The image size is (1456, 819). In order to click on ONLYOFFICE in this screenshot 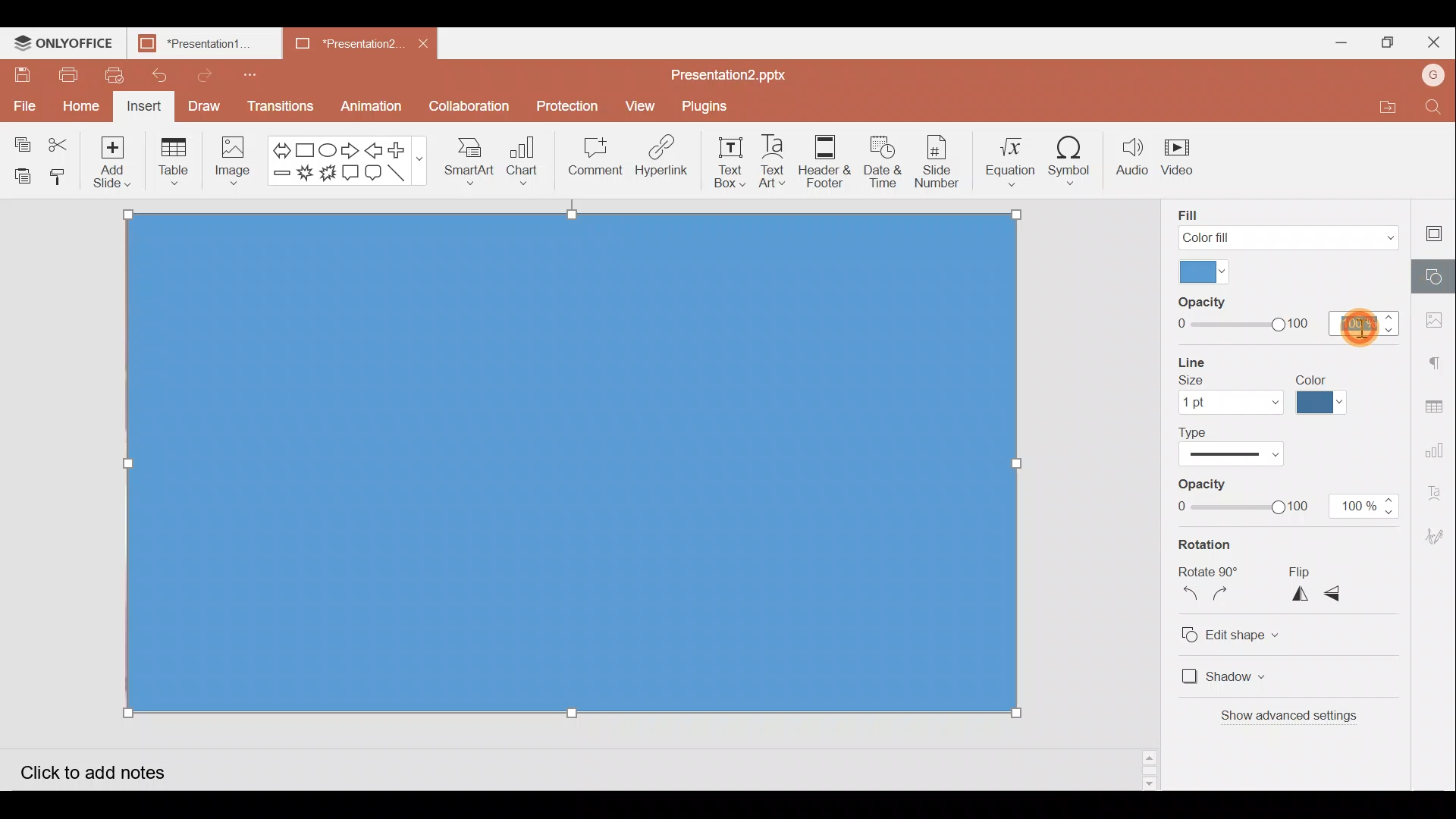, I will do `click(64, 42)`.